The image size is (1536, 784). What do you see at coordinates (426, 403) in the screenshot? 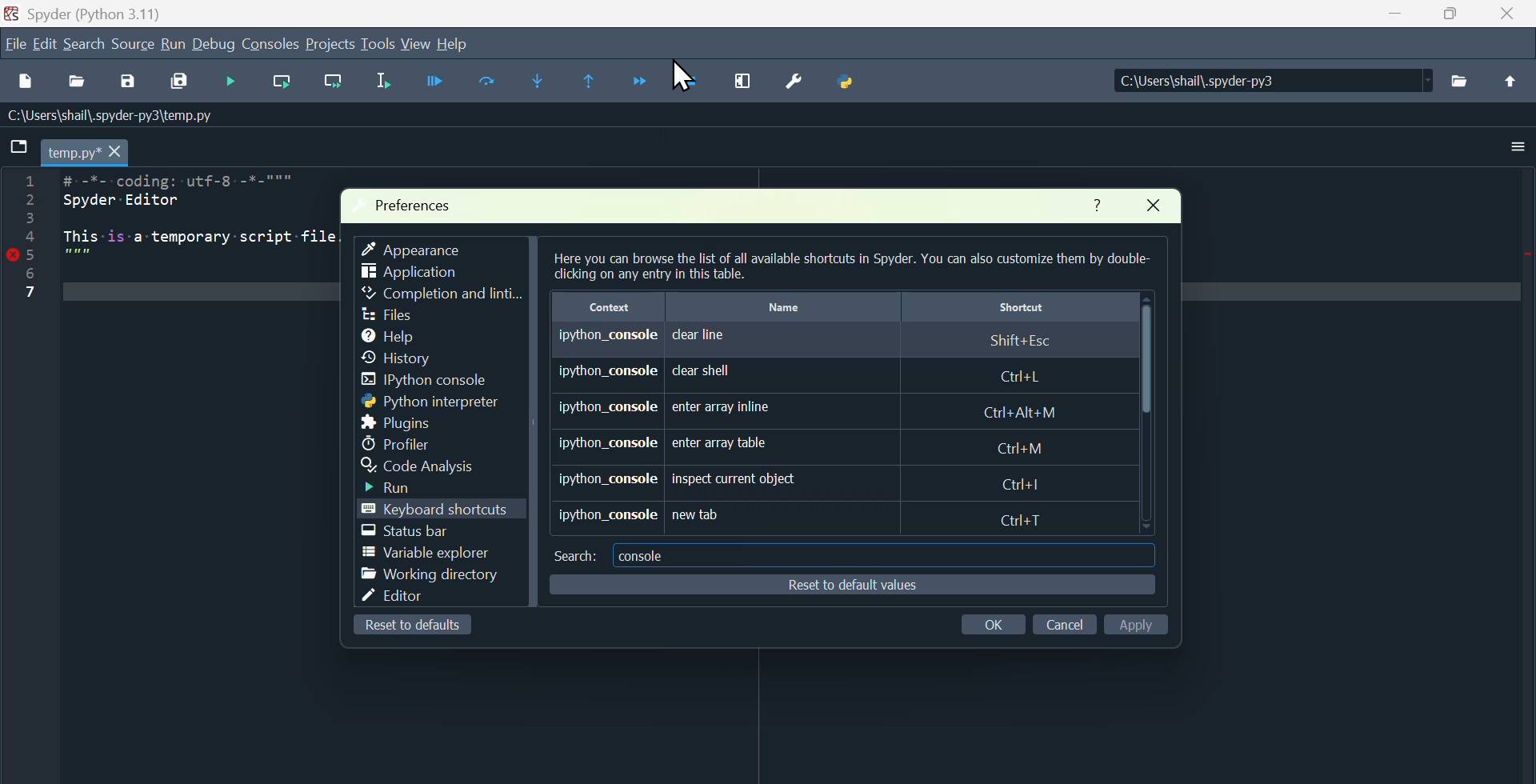
I see `Python interpreter` at bounding box center [426, 403].